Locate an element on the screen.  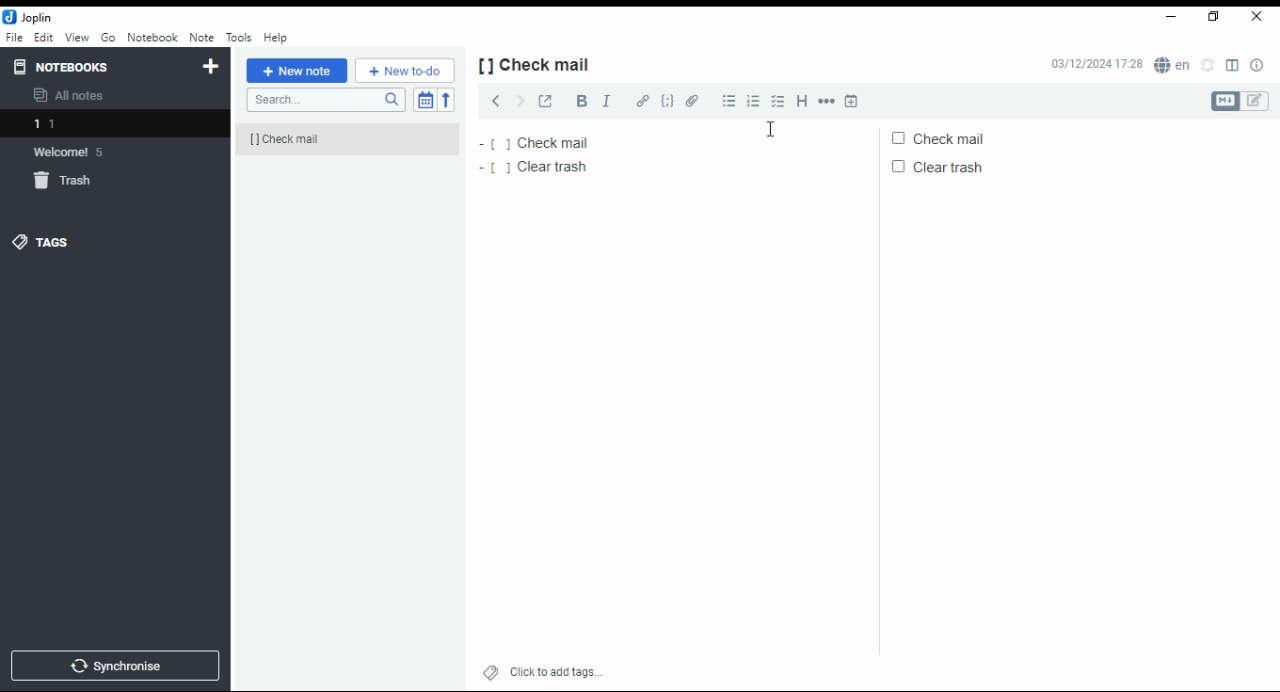
notebooks is located at coordinates (73, 67).